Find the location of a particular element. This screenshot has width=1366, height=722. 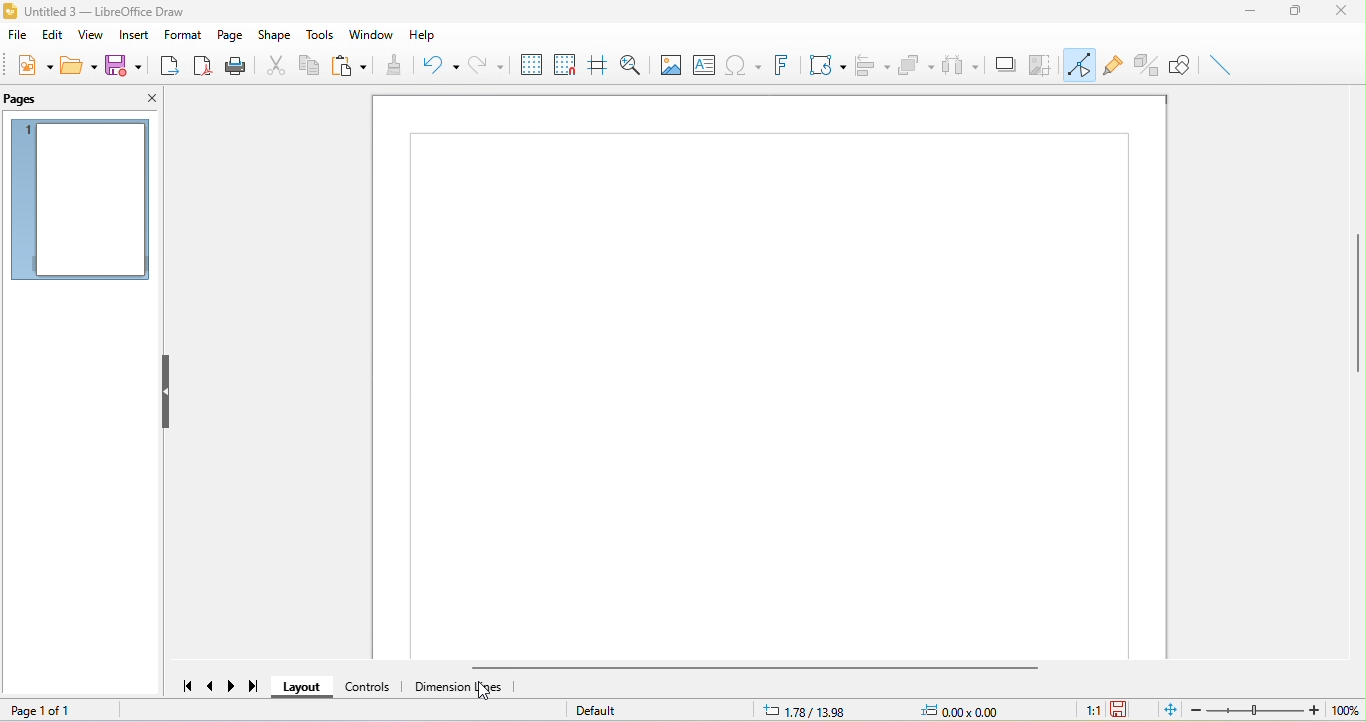

first page is located at coordinates (183, 686).